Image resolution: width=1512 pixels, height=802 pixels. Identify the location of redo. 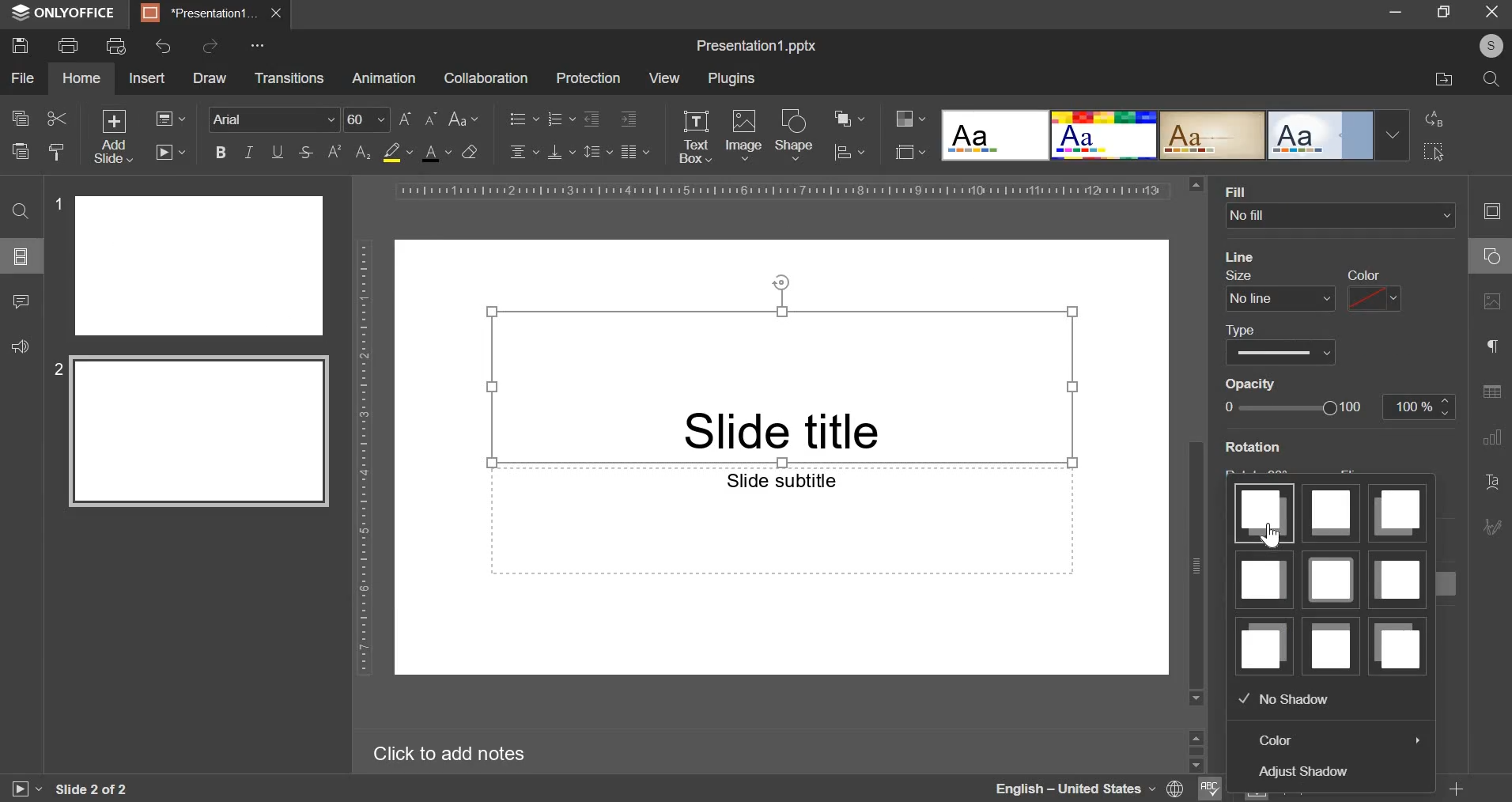
(209, 45).